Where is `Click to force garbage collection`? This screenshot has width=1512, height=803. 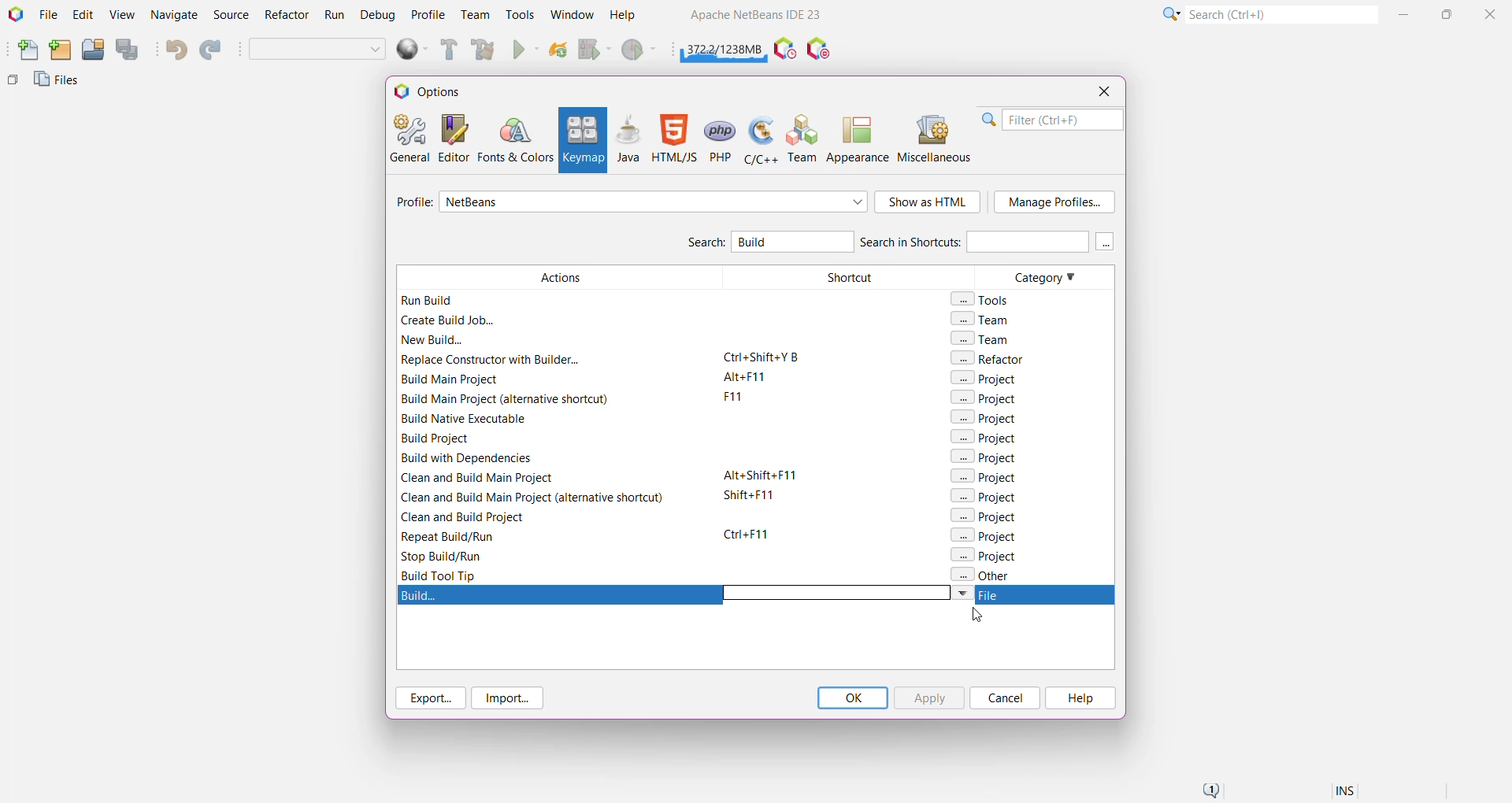
Click to force garbage collection is located at coordinates (724, 47).